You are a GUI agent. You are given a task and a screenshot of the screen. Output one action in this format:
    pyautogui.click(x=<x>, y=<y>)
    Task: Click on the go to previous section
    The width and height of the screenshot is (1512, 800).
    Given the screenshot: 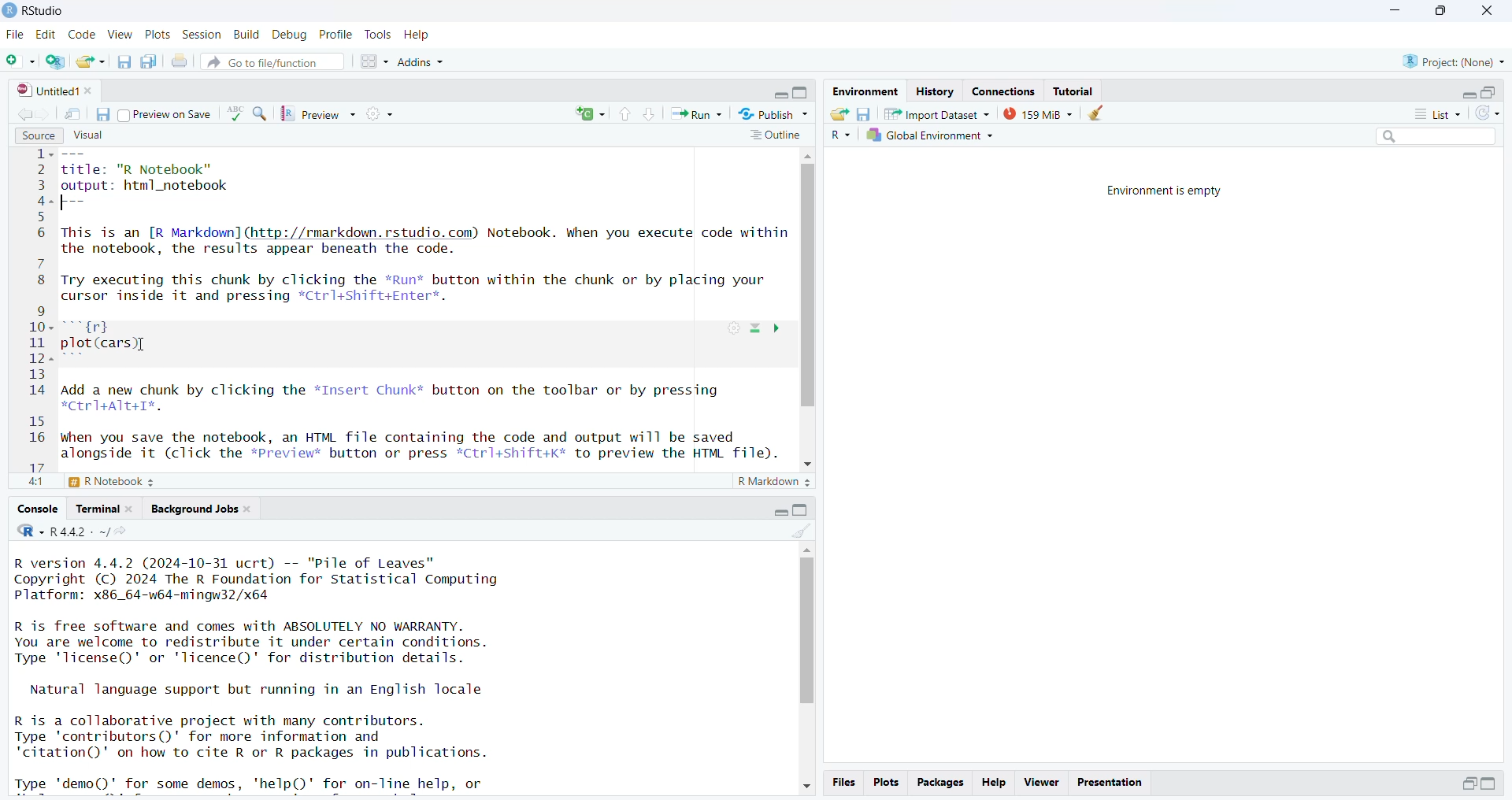 What is the action you would take?
    pyautogui.click(x=624, y=114)
    